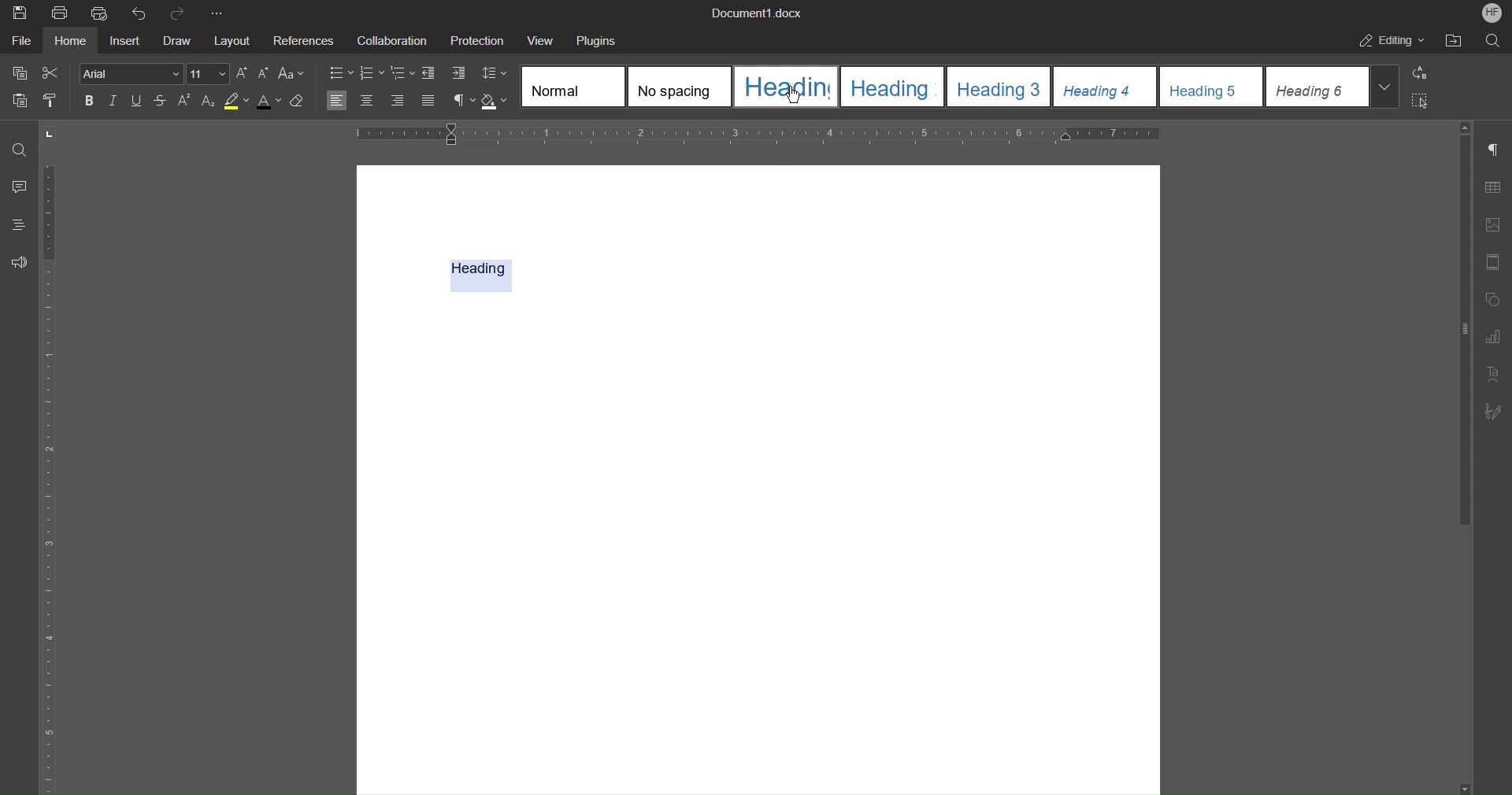 The height and width of the screenshot is (795, 1512). What do you see at coordinates (1493, 262) in the screenshot?
I see `Header/Footer` at bounding box center [1493, 262].